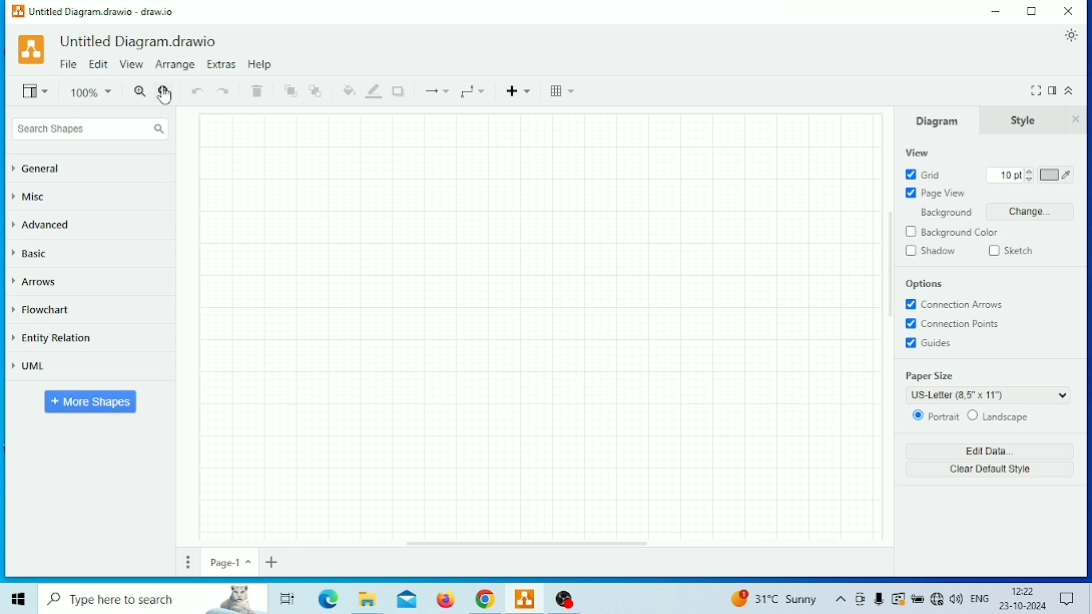 This screenshot has width=1092, height=614. I want to click on Advanced, so click(42, 224).